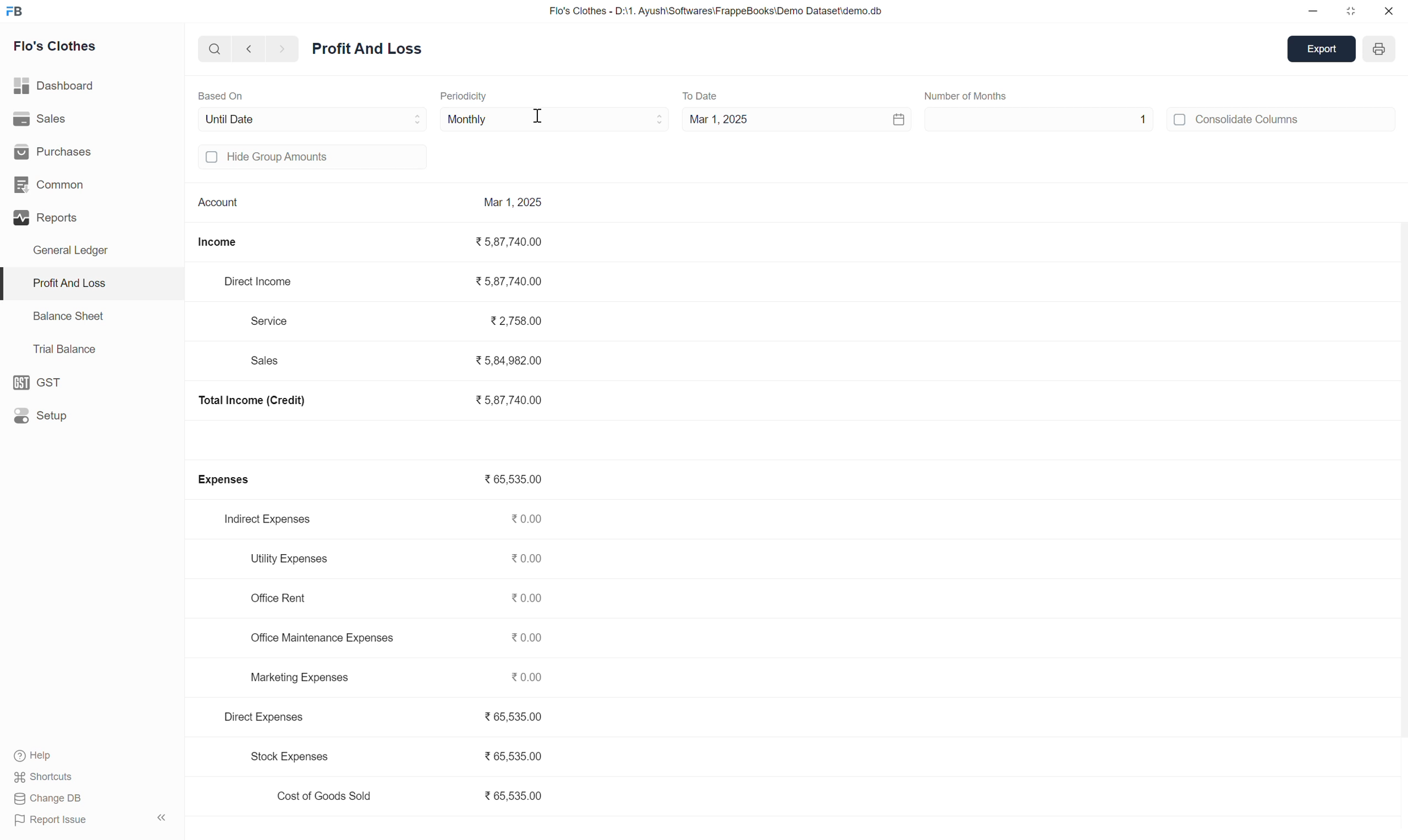  I want to click on Based On, so click(230, 96).